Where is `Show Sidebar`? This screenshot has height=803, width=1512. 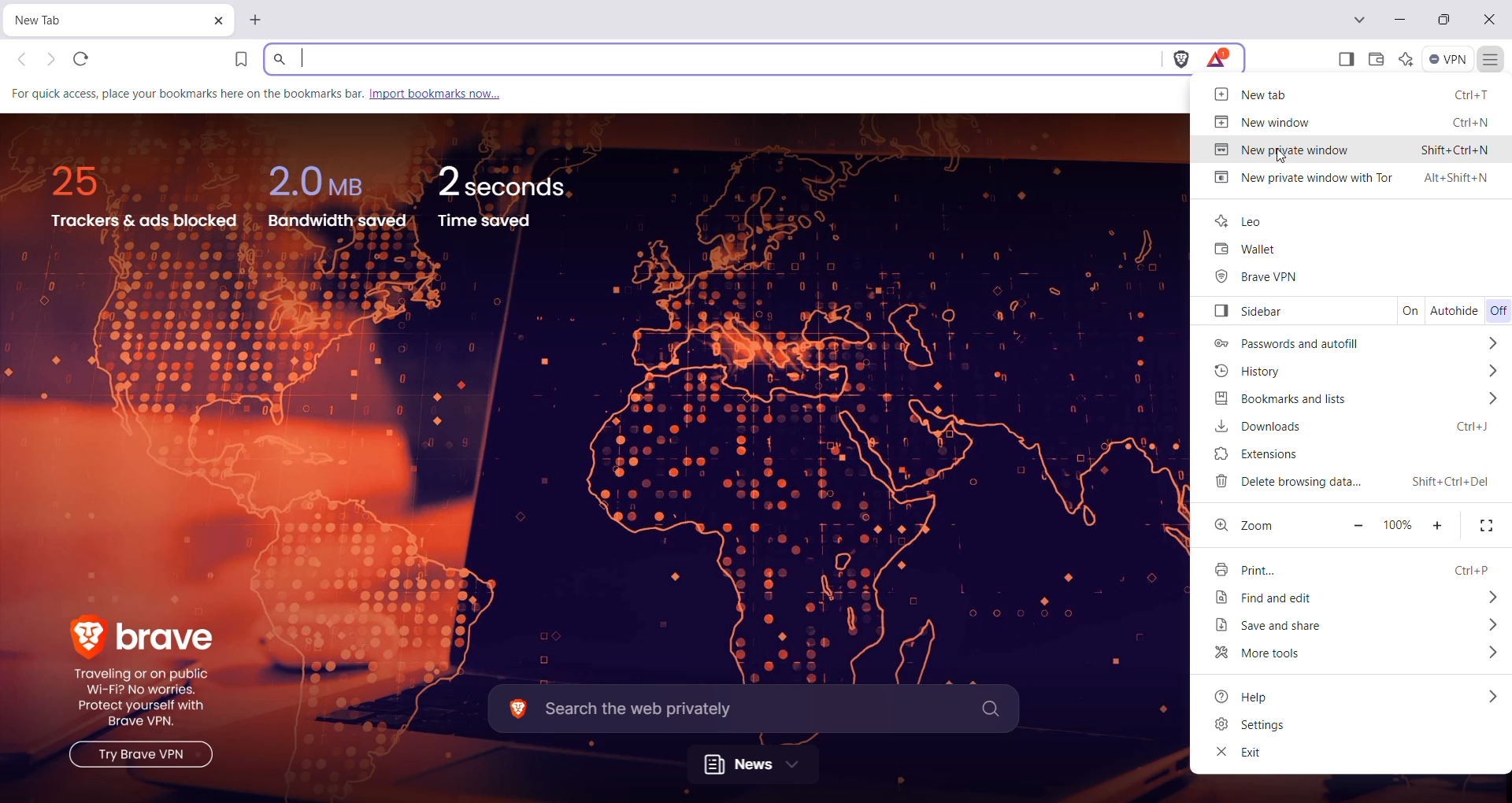
Show Sidebar is located at coordinates (1344, 59).